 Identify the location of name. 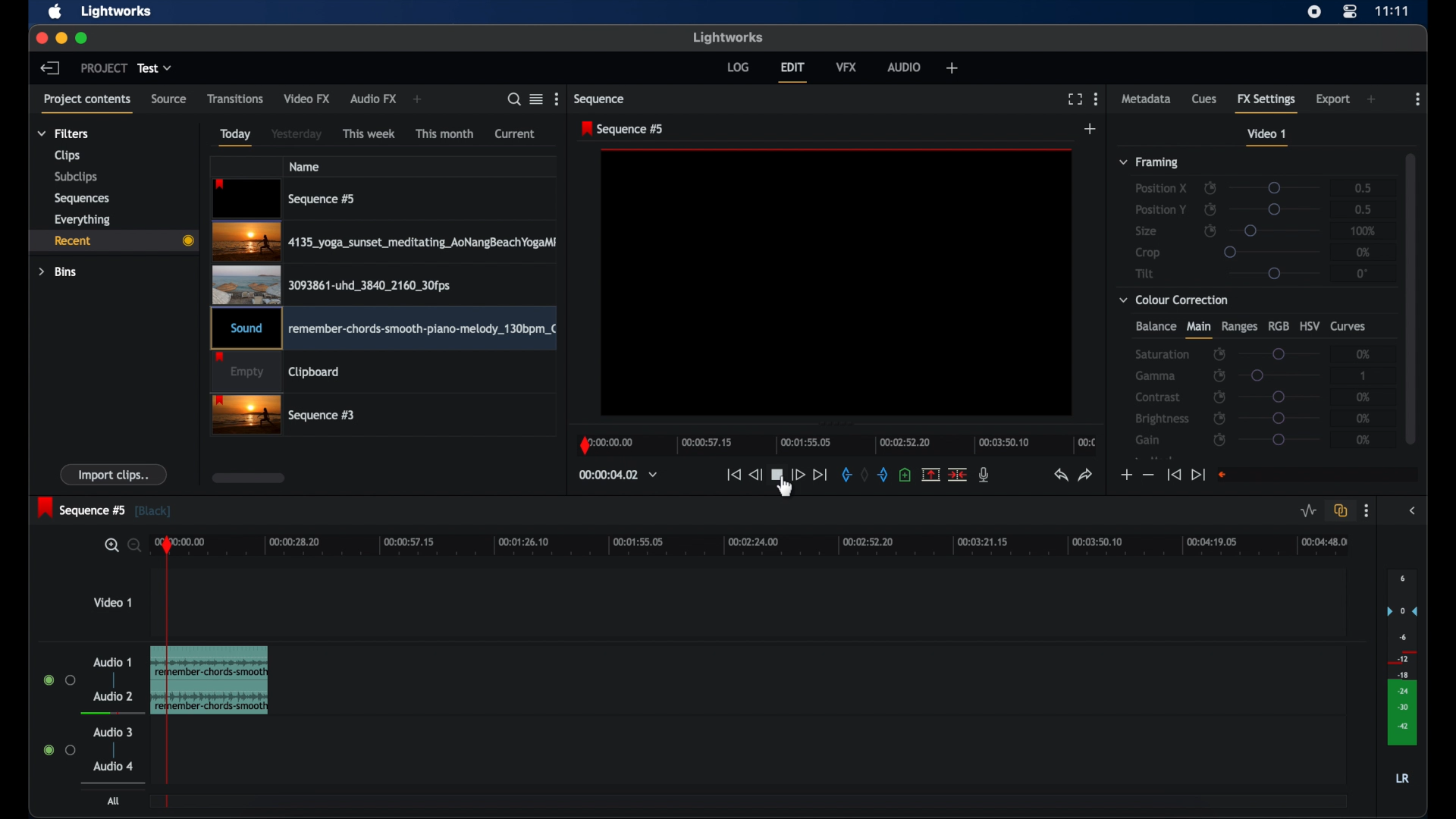
(304, 166).